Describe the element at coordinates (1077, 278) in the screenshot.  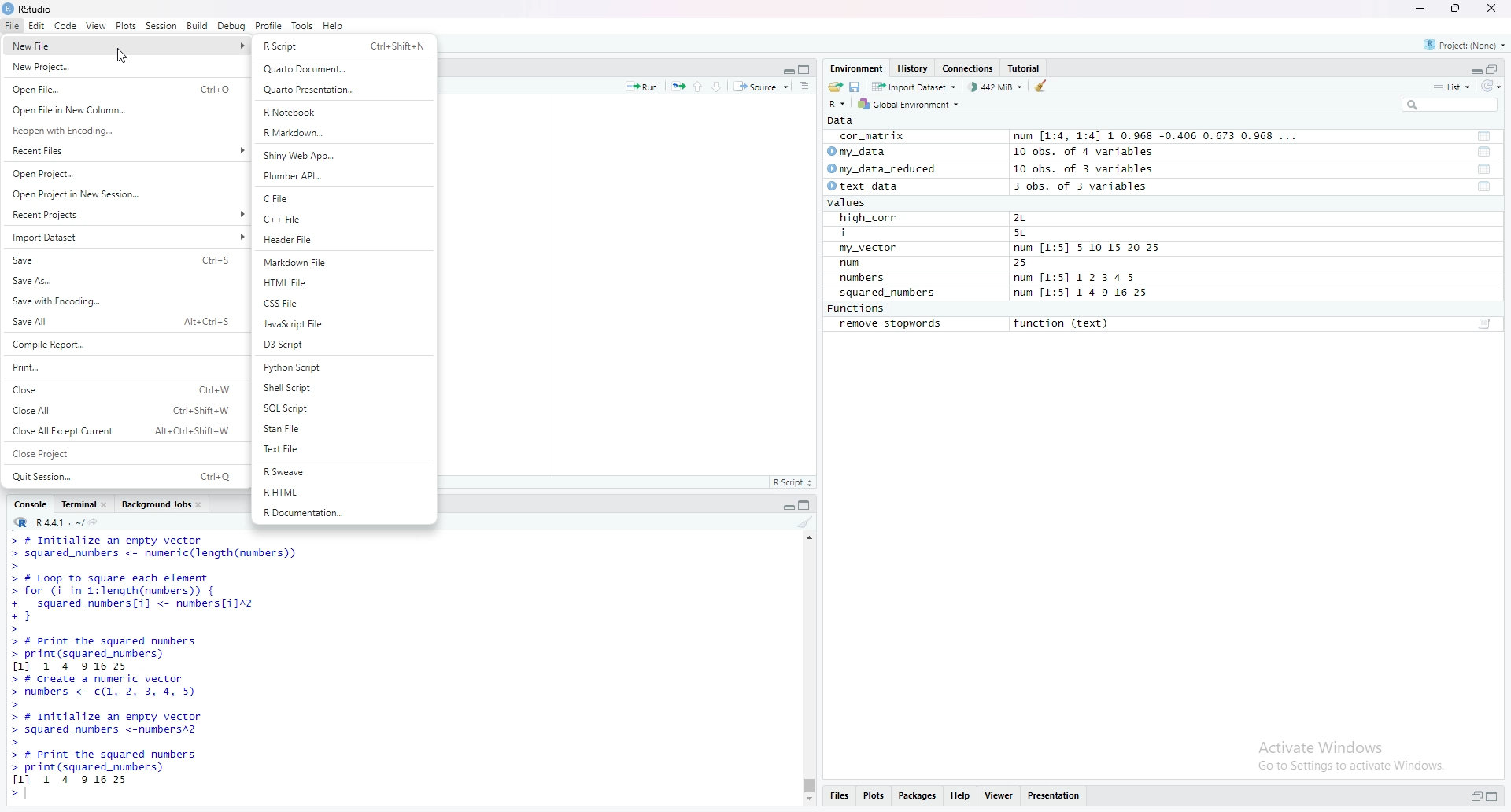
I see `num [1:5] 12345` at that location.